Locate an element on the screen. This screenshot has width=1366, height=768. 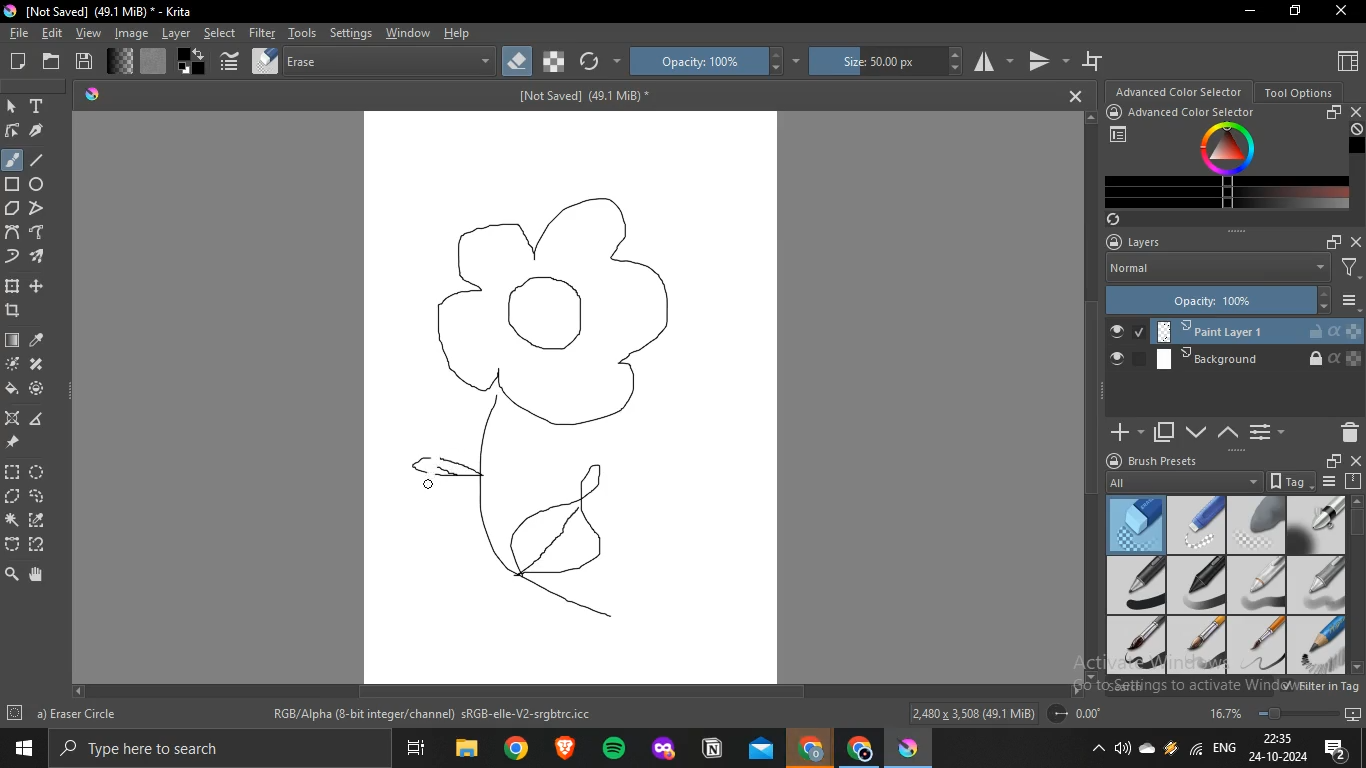
rectangle tool is located at coordinates (13, 185).